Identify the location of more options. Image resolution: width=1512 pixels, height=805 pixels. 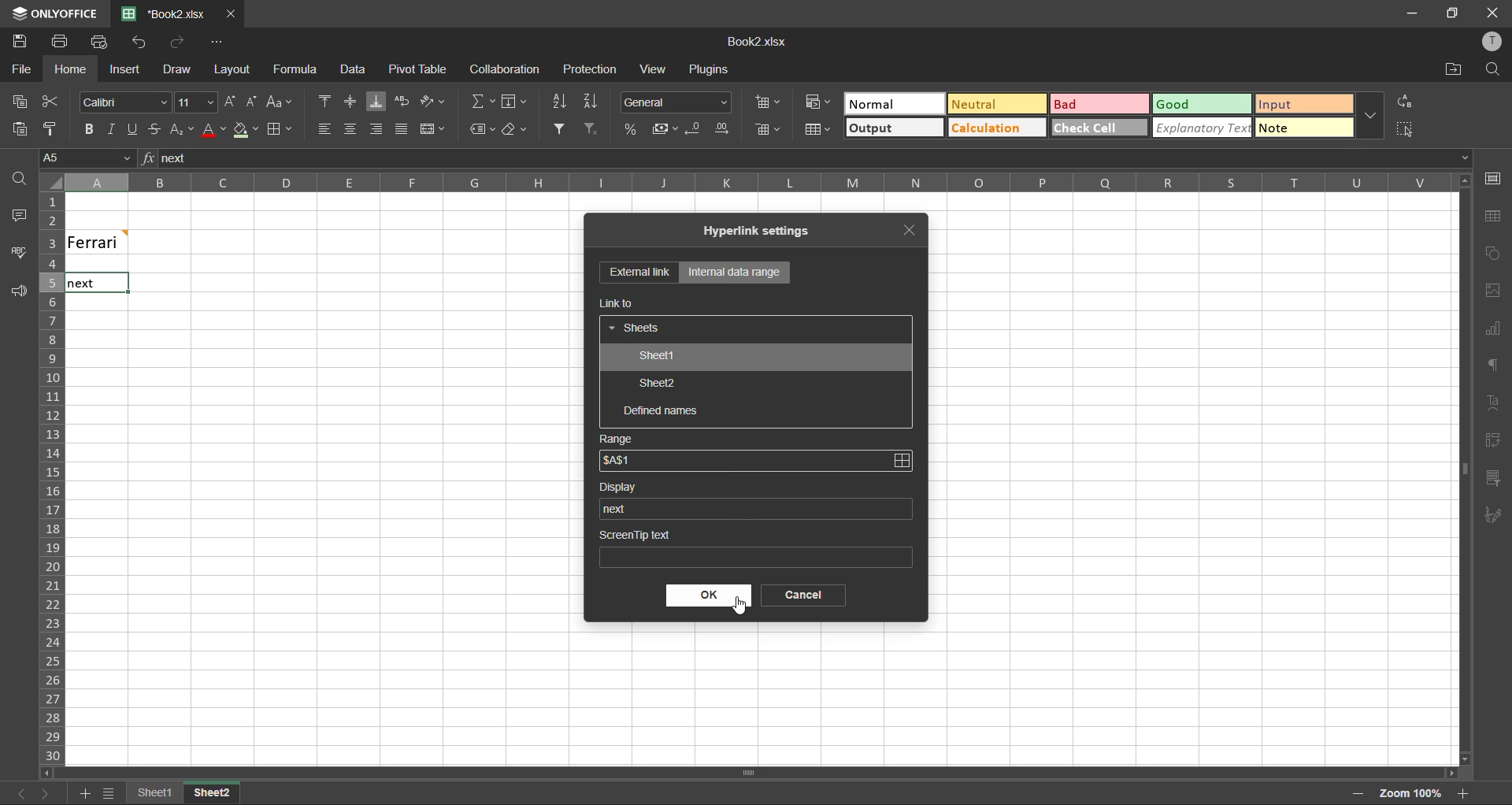
(1374, 116).